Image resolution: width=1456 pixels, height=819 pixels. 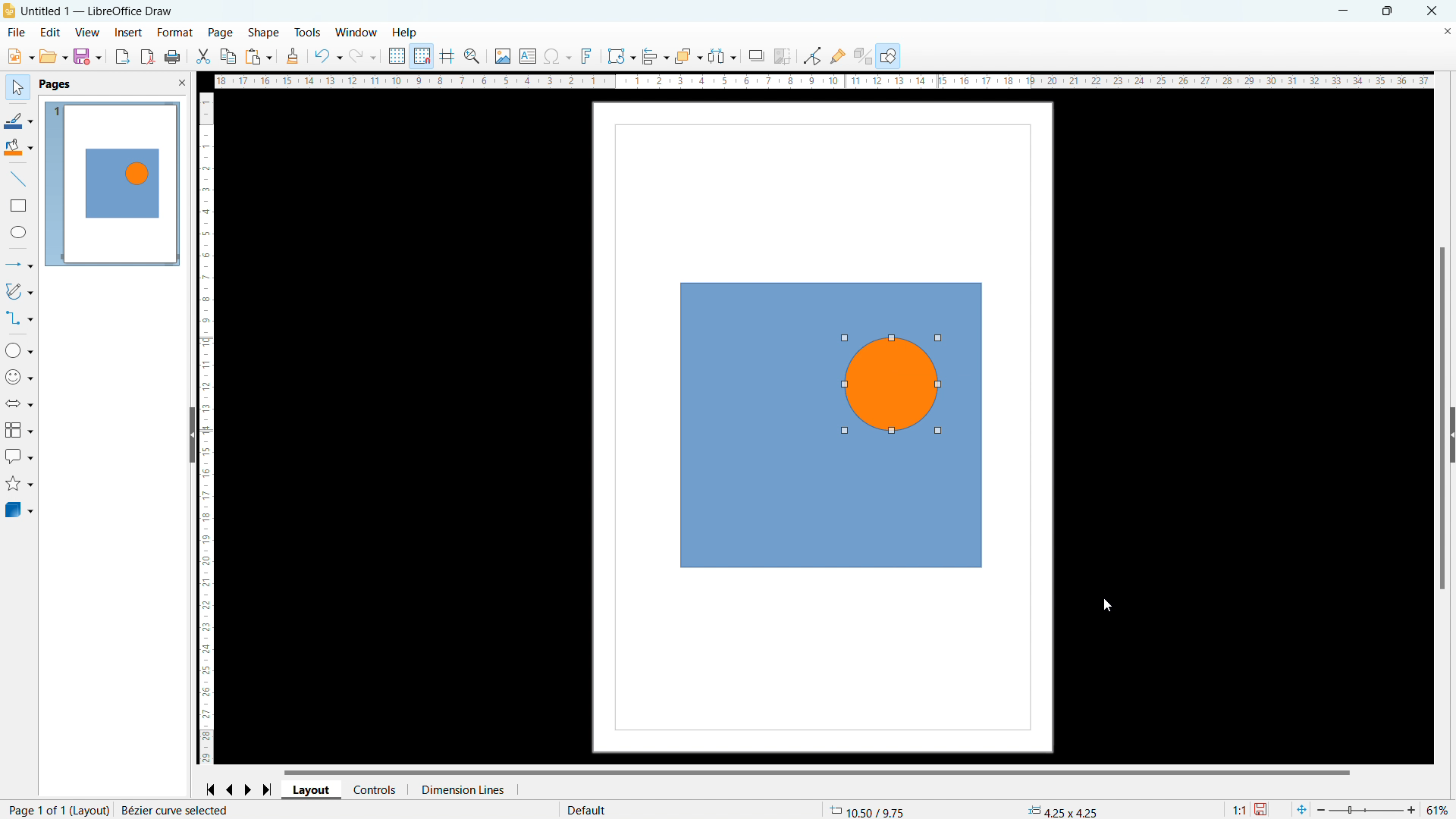 I want to click on clone formatting, so click(x=293, y=55).